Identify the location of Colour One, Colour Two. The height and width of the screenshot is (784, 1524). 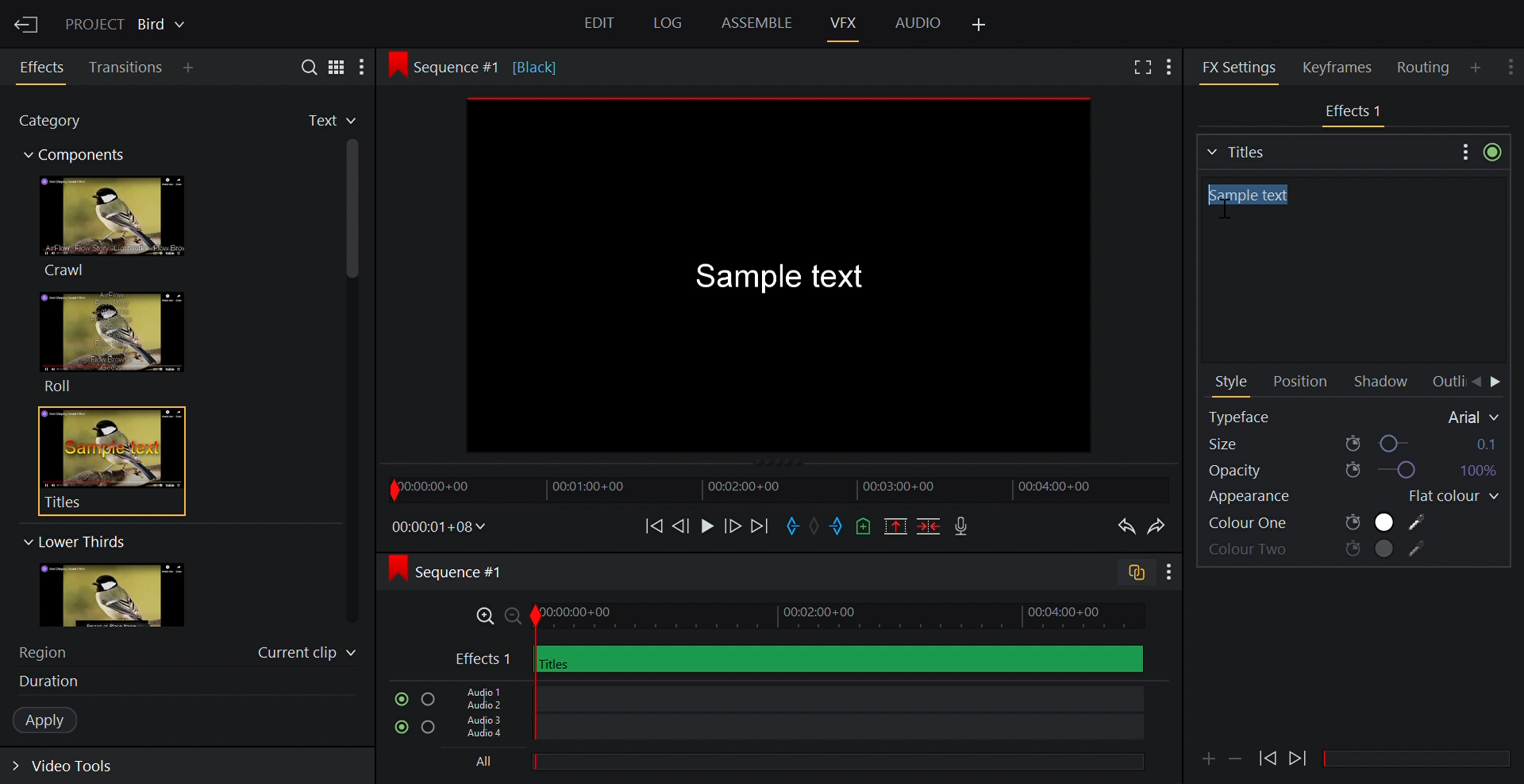
(1318, 523).